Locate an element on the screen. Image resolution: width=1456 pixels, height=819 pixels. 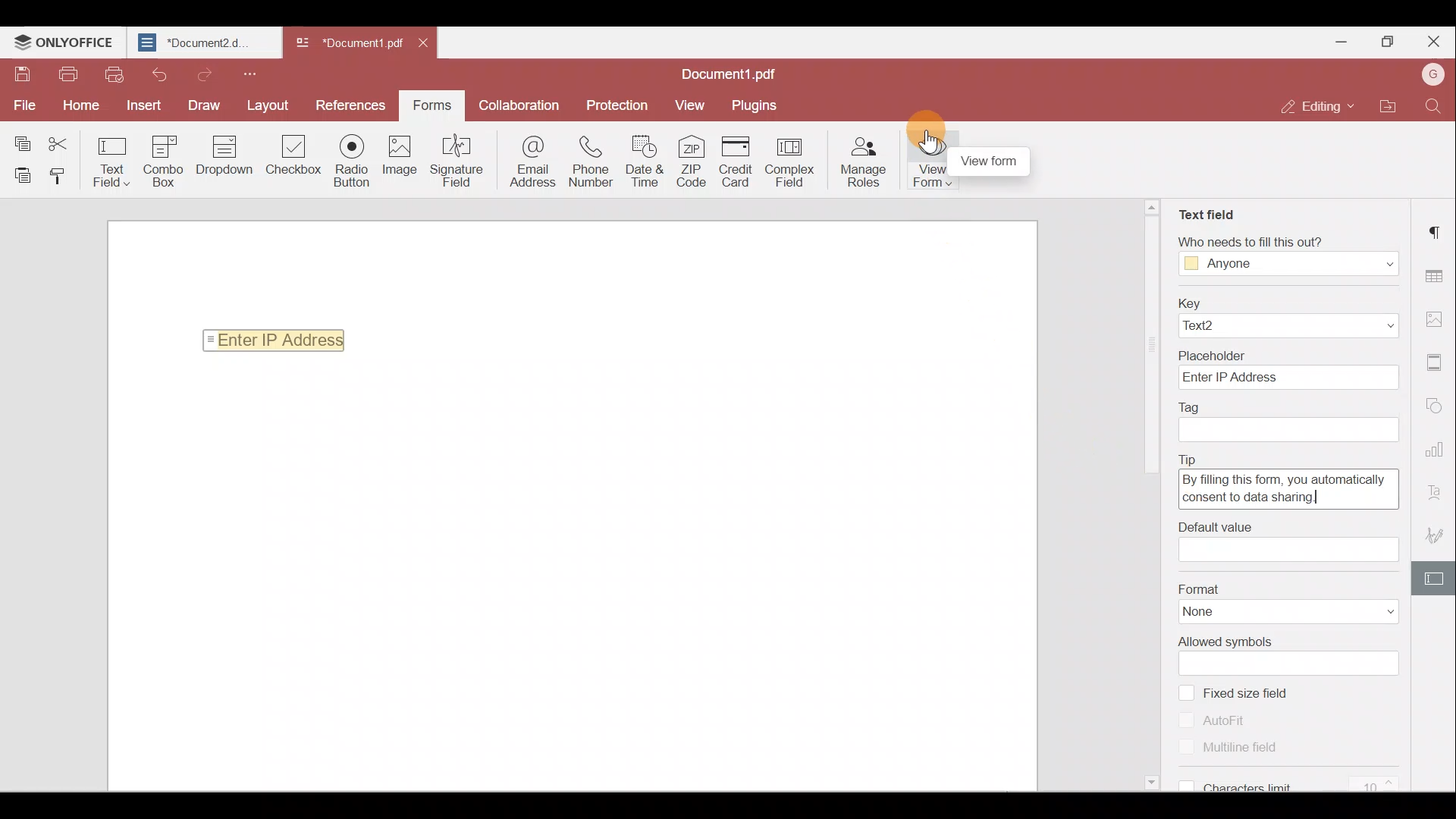
Chart settings is located at coordinates (1437, 448).